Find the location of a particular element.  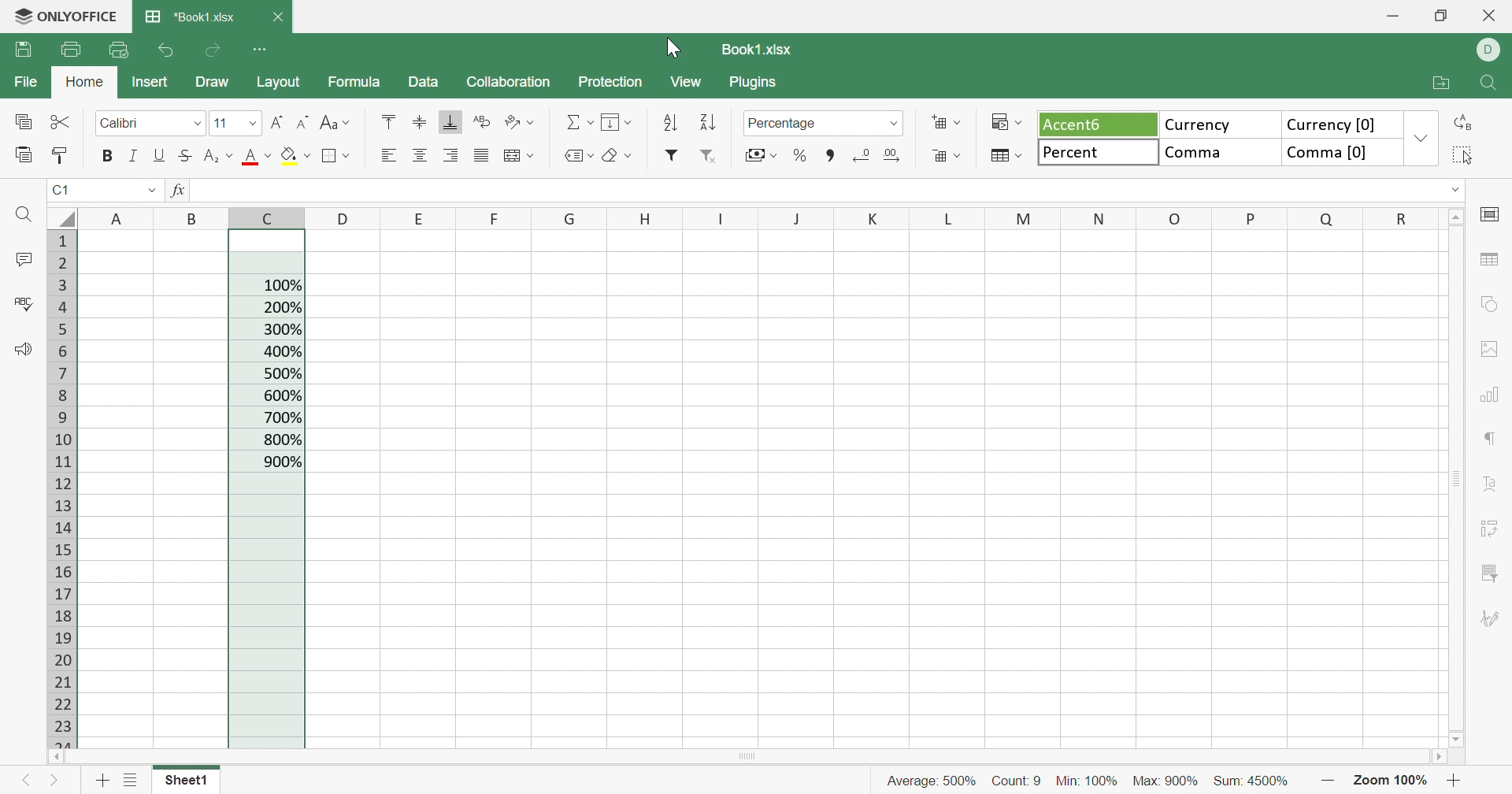

400% is located at coordinates (283, 351).